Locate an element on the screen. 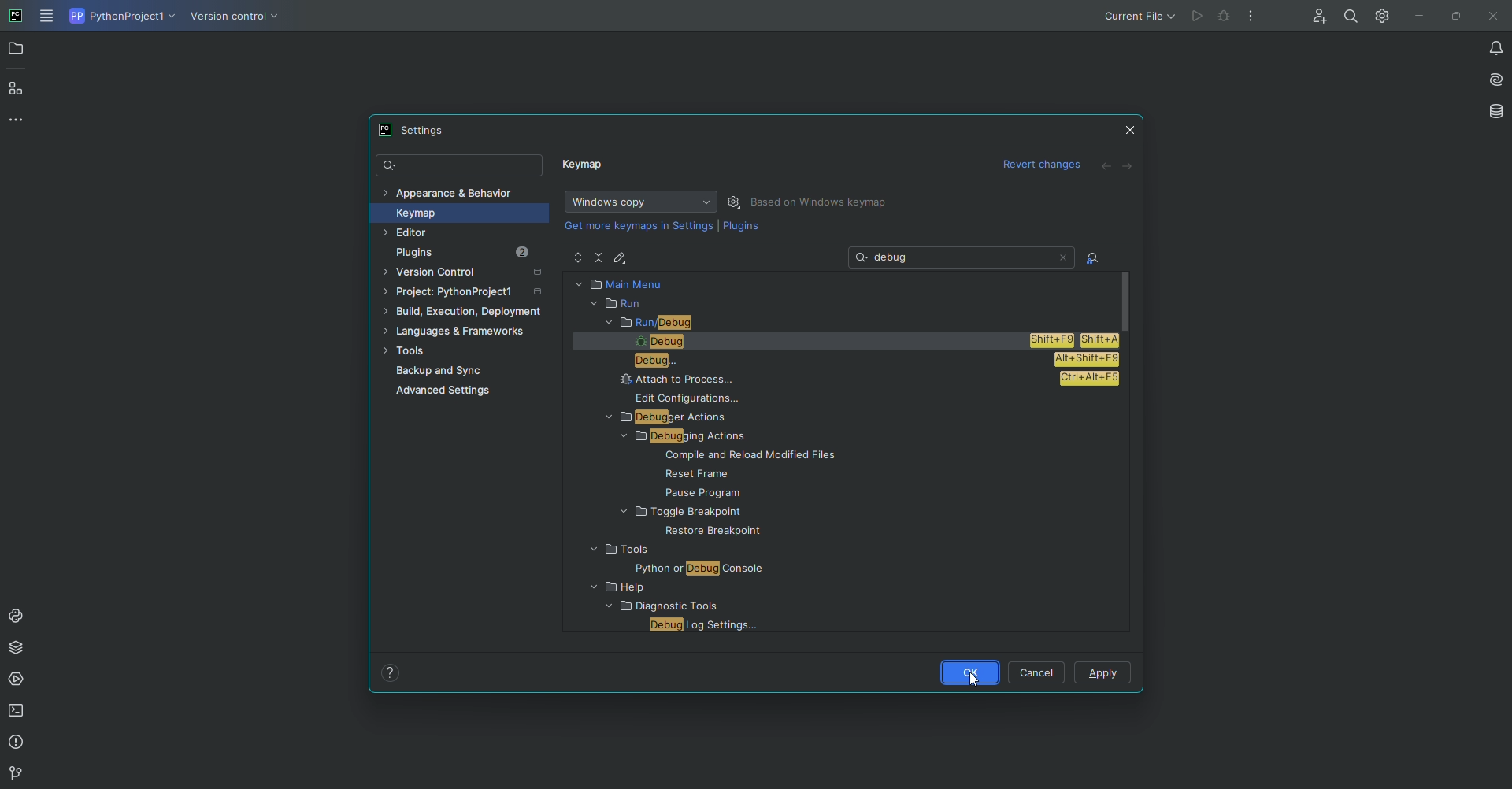 The width and height of the screenshot is (1512, 789). Back is located at coordinates (1106, 167).